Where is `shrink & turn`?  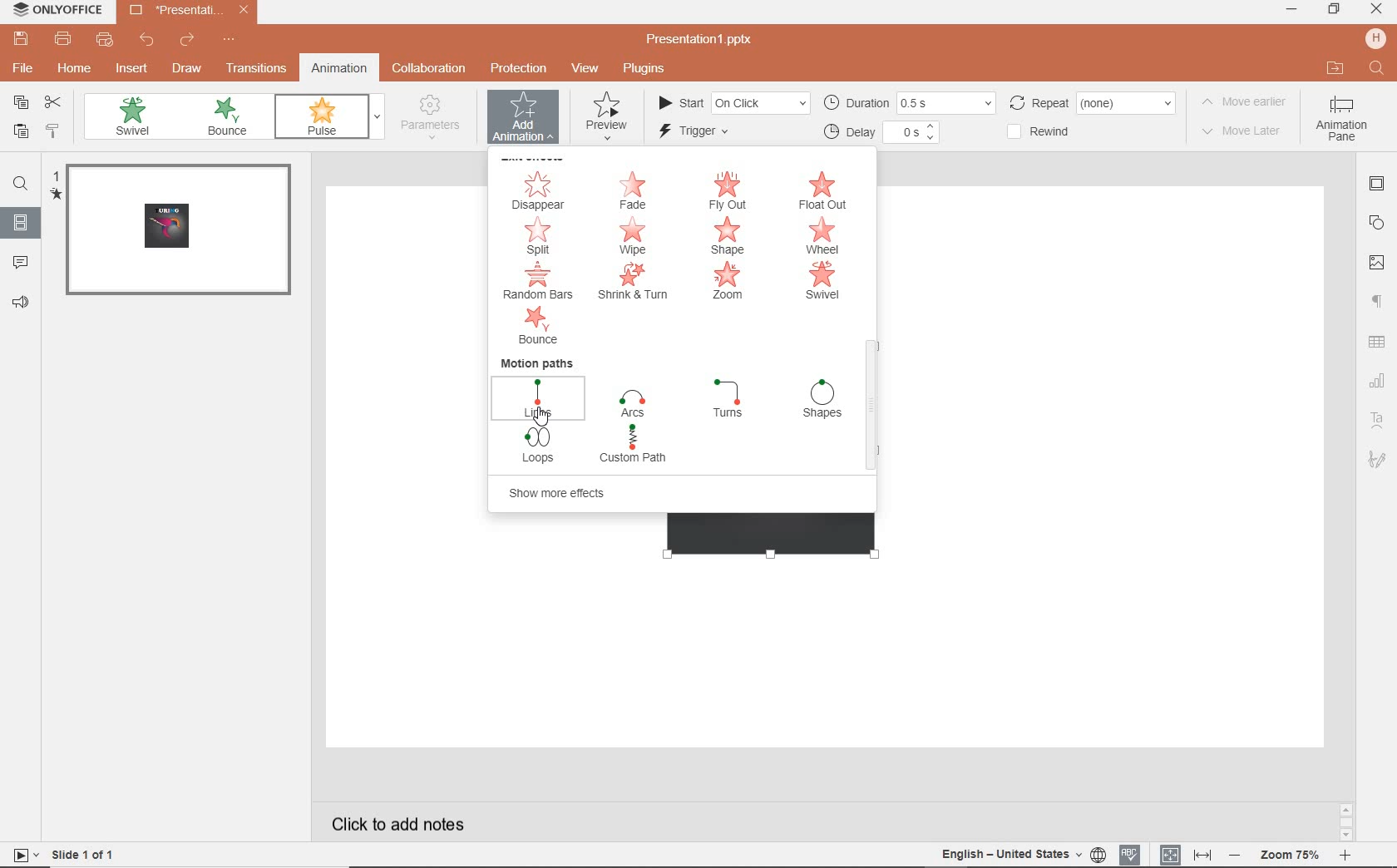
shrink & turn is located at coordinates (634, 282).